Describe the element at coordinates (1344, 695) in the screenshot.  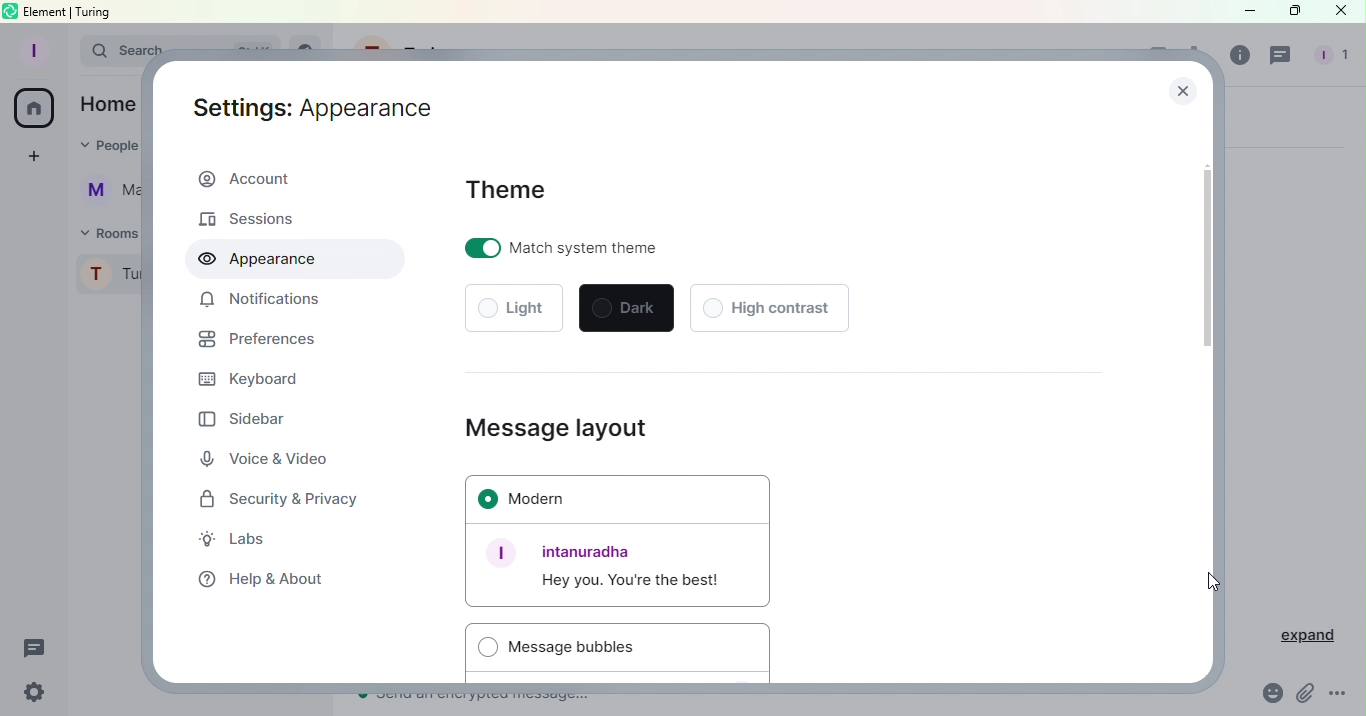
I see `More Options` at that location.